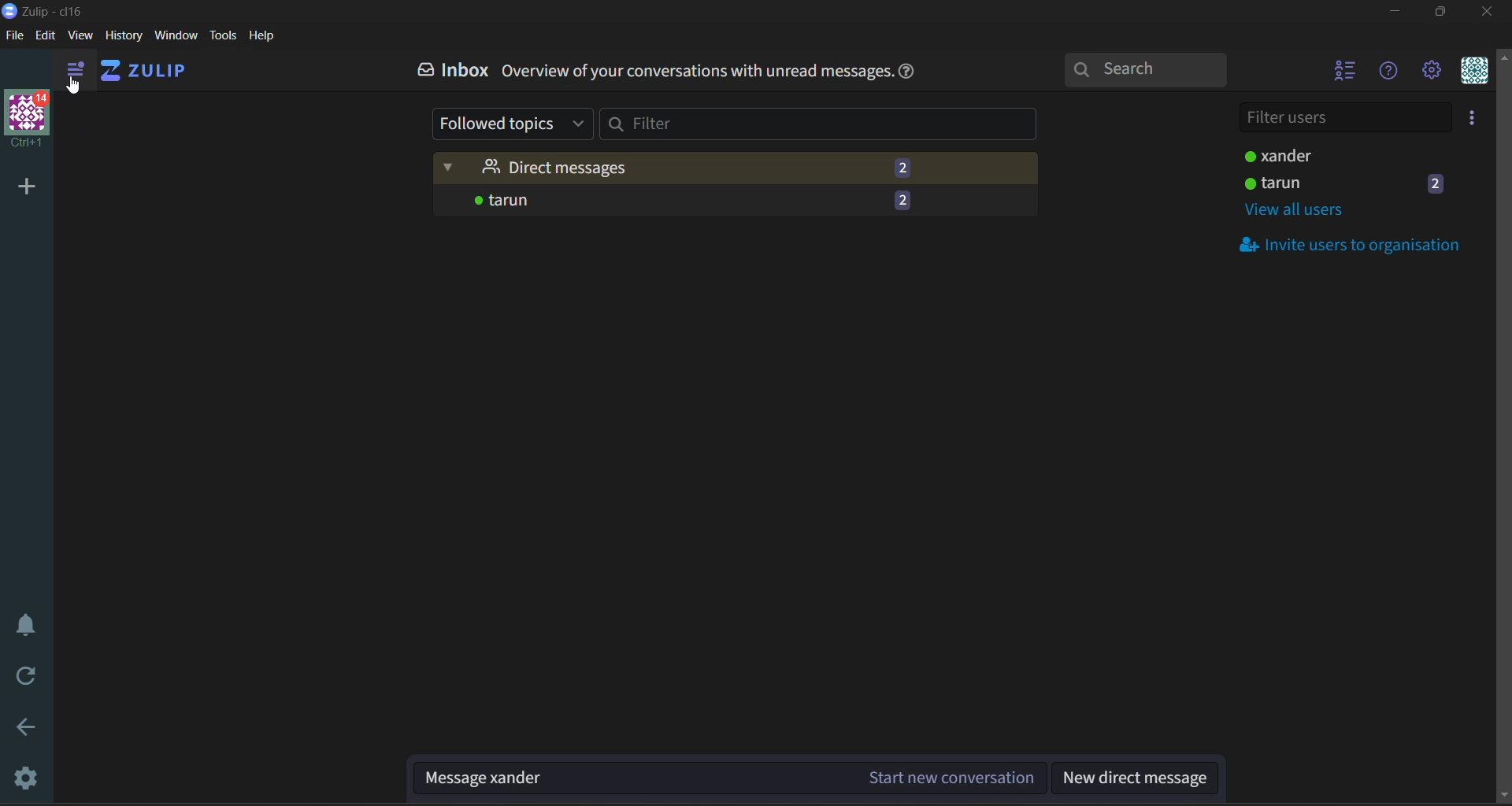  What do you see at coordinates (126, 36) in the screenshot?
I see `history` at bounding box center [126, 36].